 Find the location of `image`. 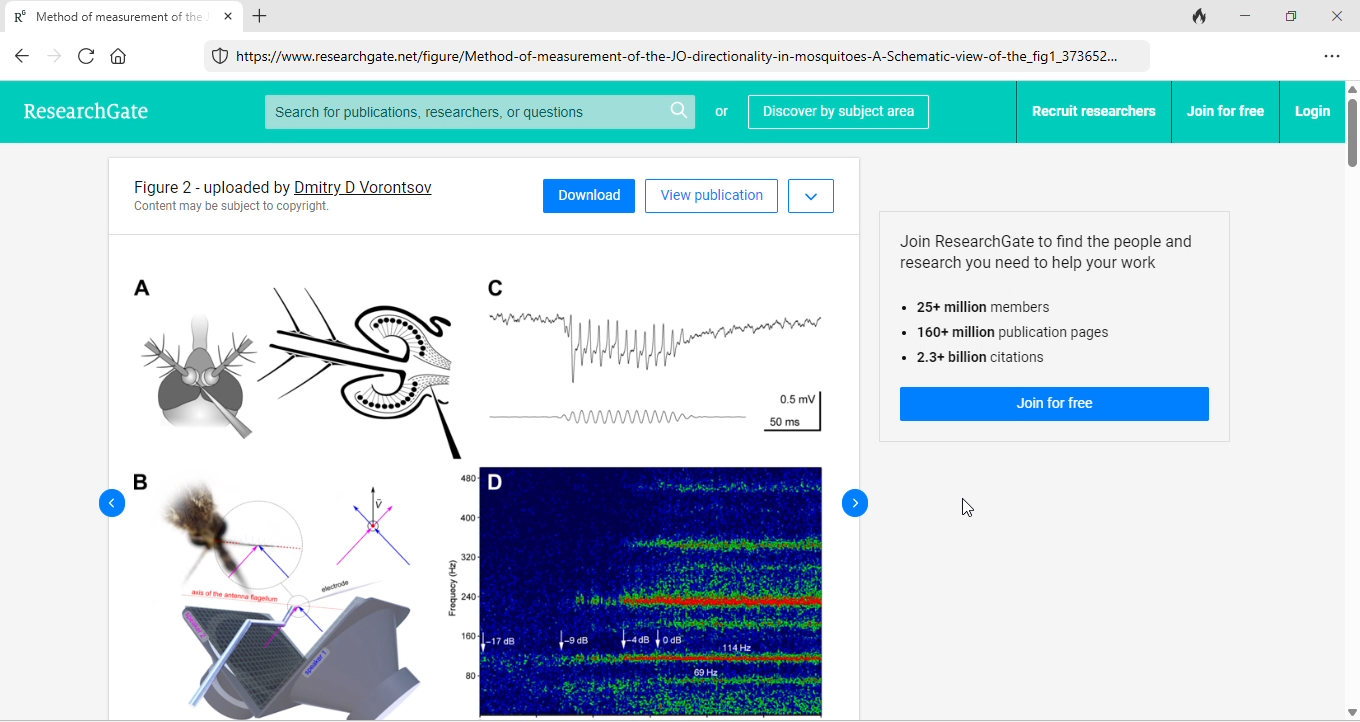

image is located at coordinates (483, 477).